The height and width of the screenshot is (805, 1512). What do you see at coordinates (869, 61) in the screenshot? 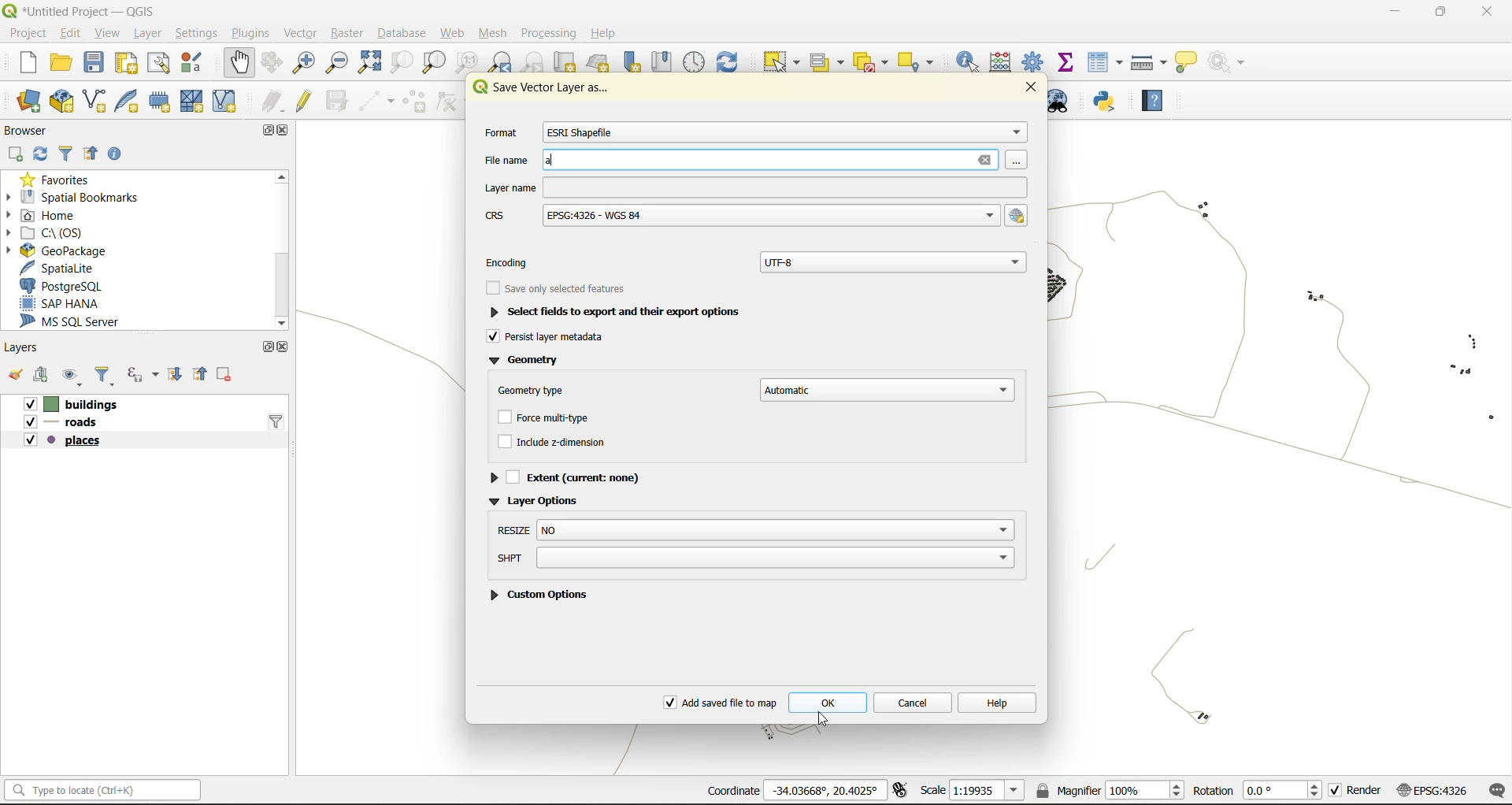
I see `deselect value` at bounding box center [869, 61].